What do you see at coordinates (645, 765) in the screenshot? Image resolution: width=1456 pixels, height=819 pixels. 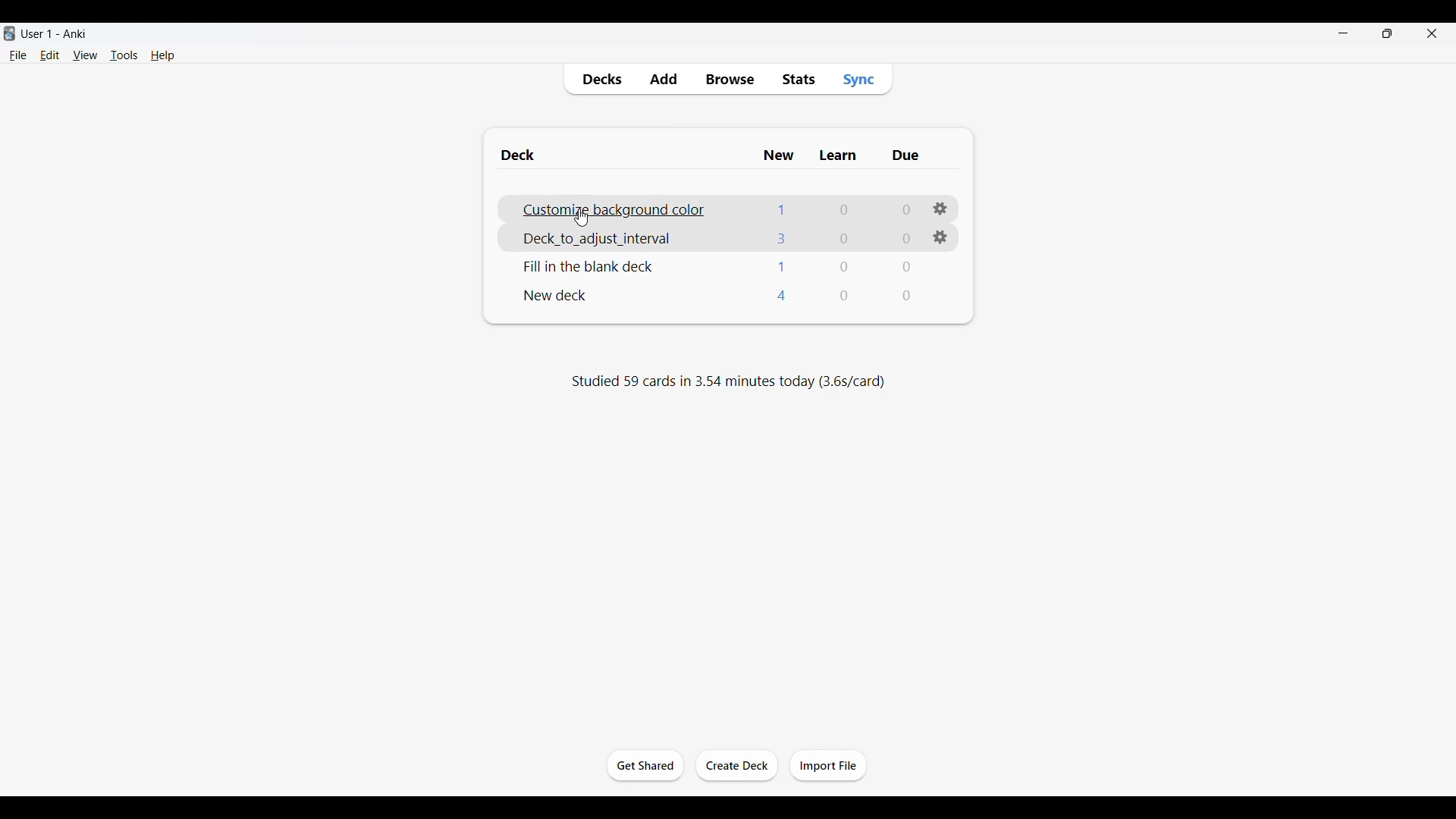 I see `Get started` at bounding box center [645, 765].